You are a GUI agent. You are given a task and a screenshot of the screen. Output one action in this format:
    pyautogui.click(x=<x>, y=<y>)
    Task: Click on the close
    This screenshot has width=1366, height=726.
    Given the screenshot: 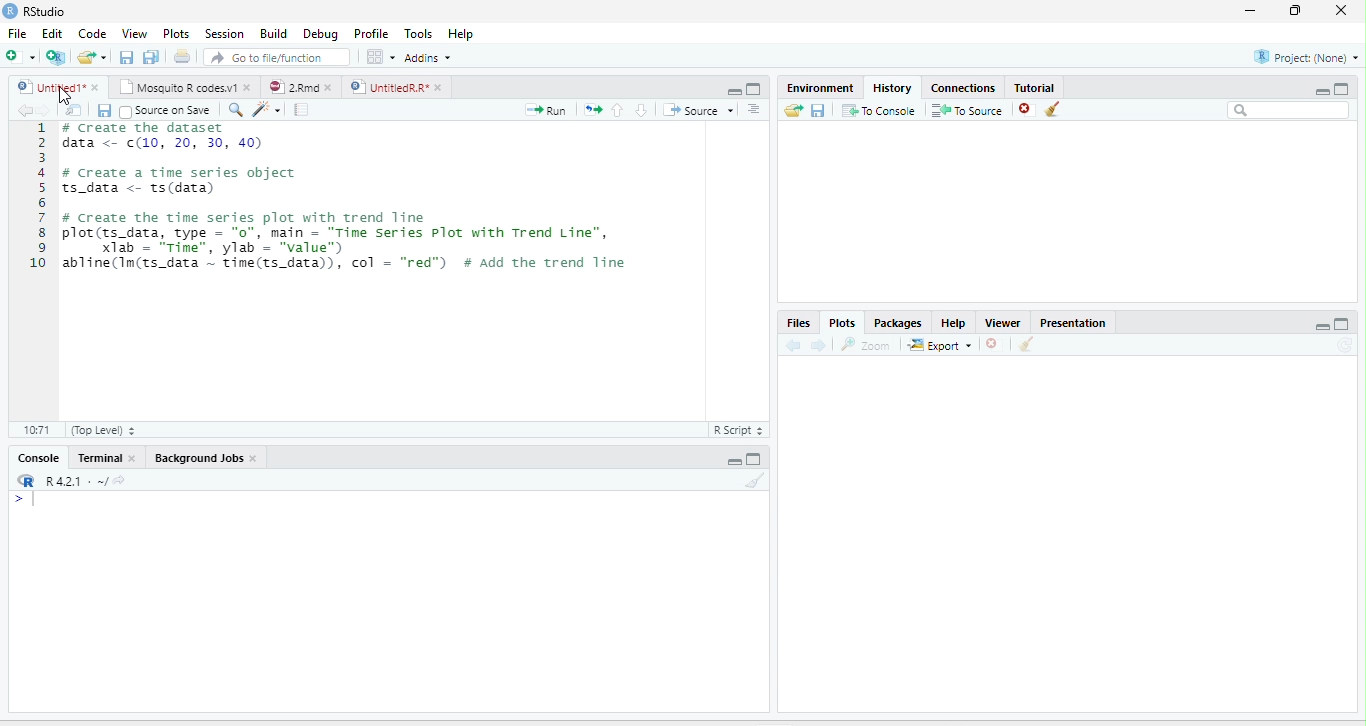 What is the action you would take?
    pyautogui.click(x=438, y=87)
    